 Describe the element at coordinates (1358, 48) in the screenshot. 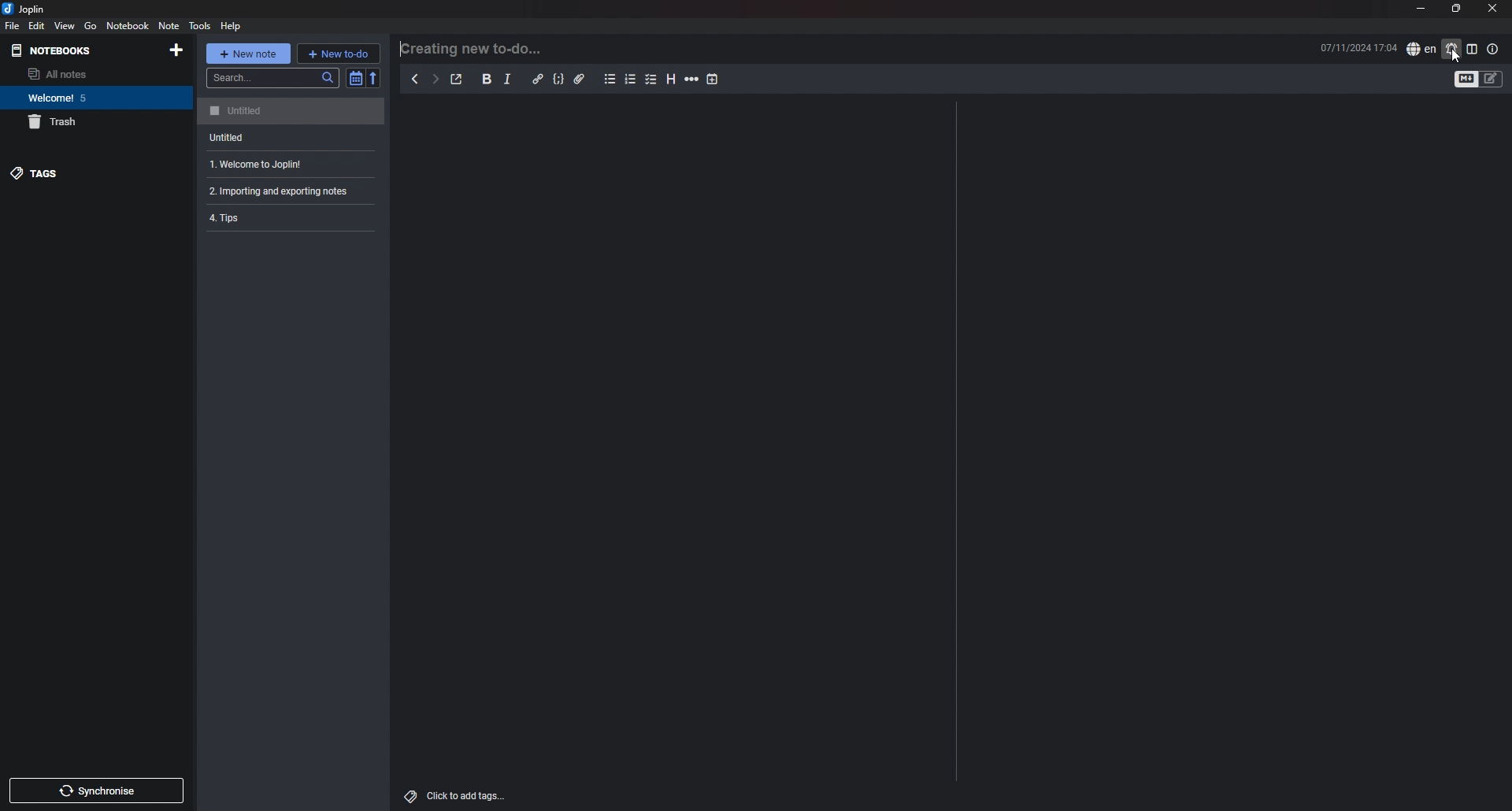

I see `date and time` at that location.